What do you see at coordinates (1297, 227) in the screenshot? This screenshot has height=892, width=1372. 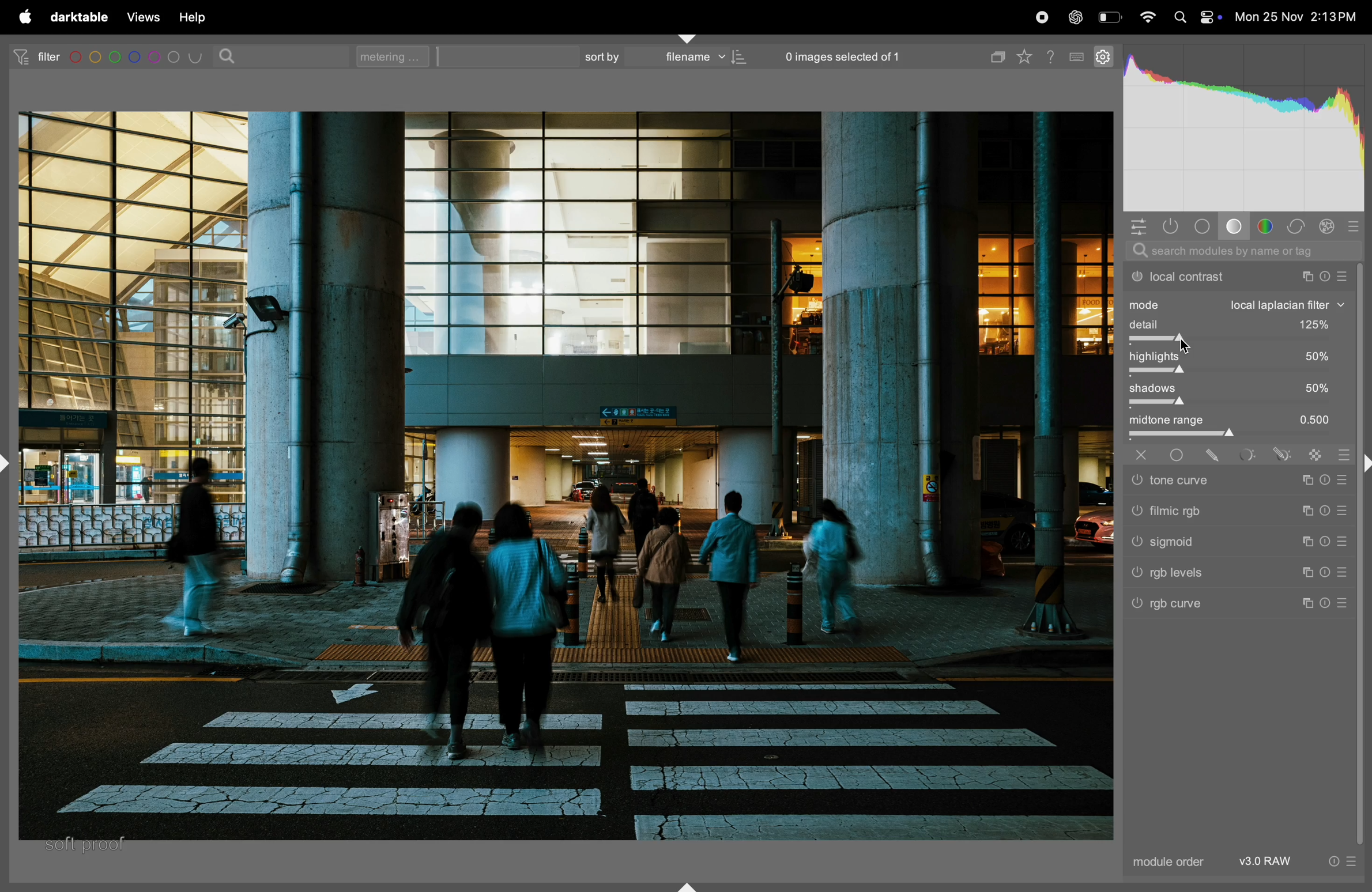 I see `correct` at bounding box center [1297, 227].